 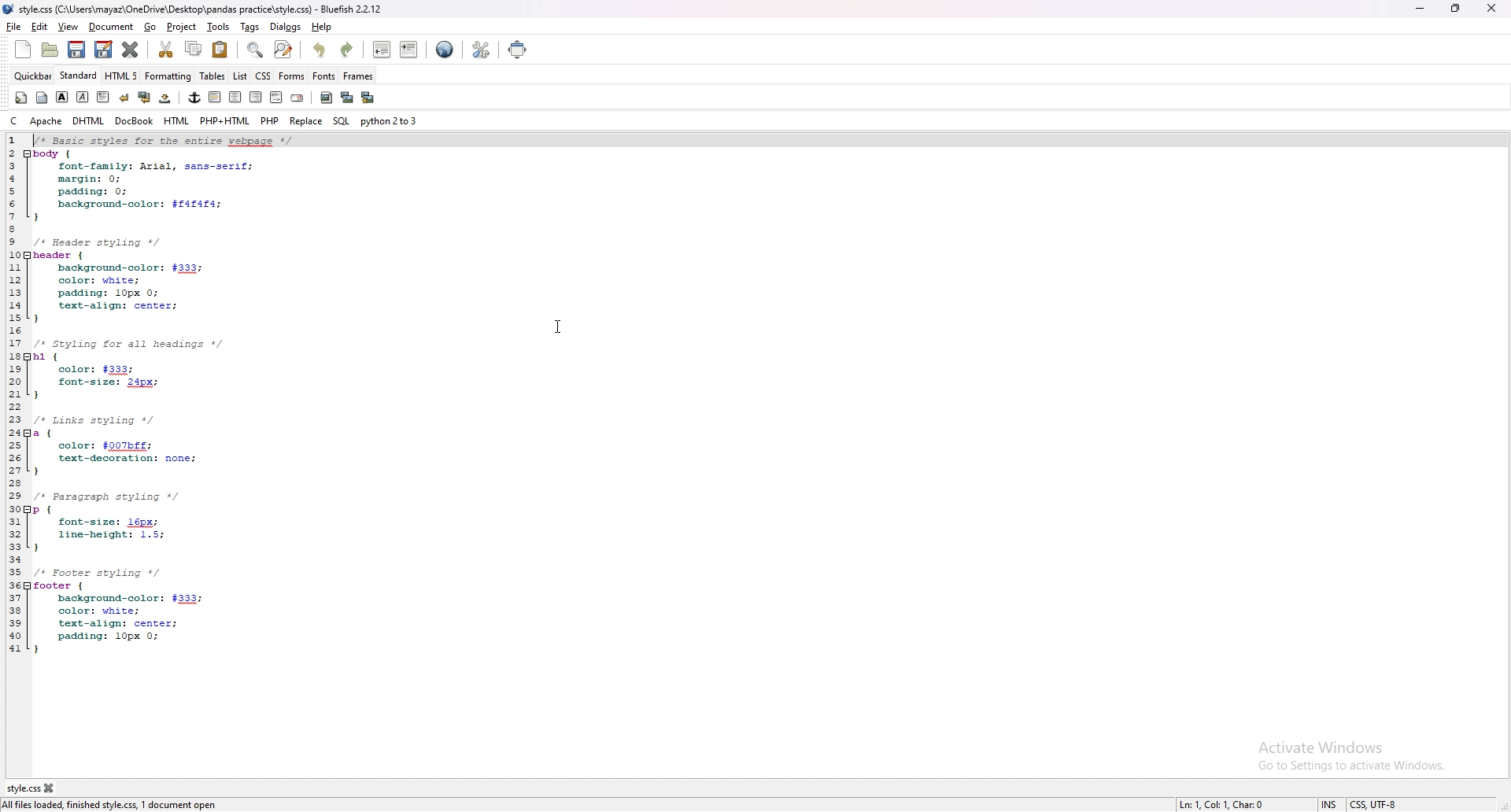 I want to click on resize, so click(x=1456, y=8).